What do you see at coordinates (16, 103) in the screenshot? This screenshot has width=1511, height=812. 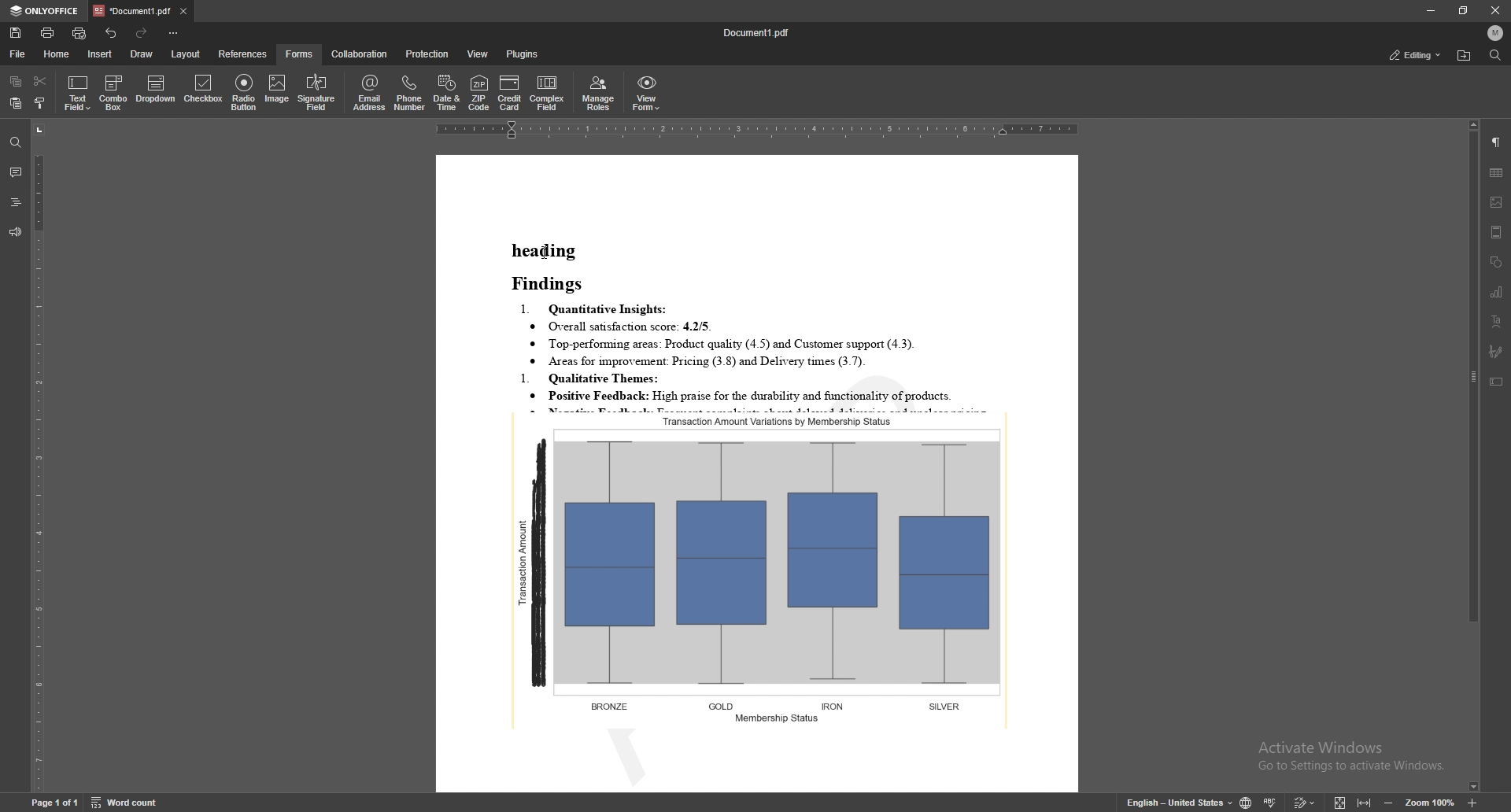 I see `paste` at bounding box center [16, 103].